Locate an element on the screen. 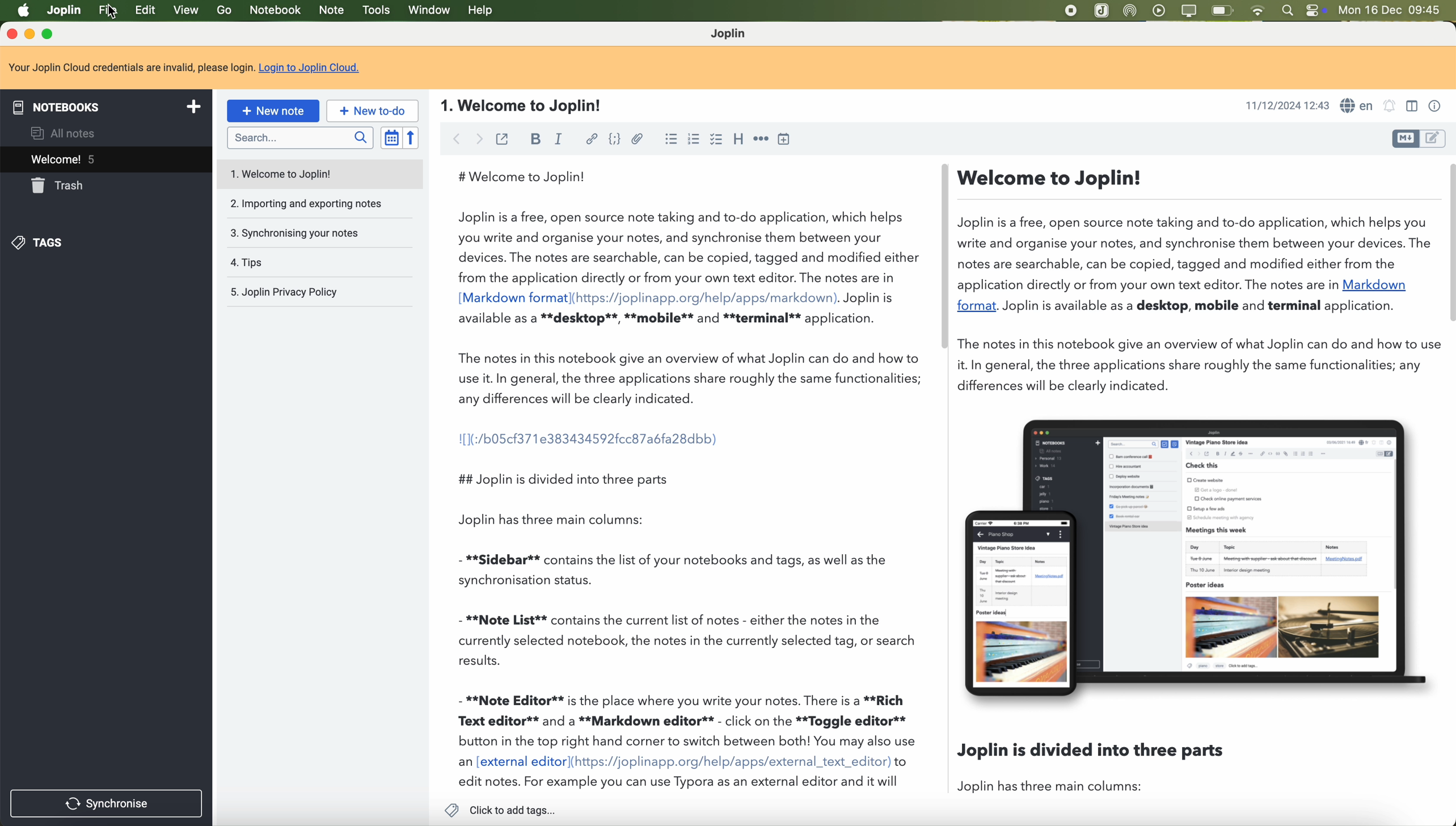  Joplin is a free, open source note taking and to-do application, which helps
you write and organise your notes, and synchronise them between your
devices. The notes are searchable, can be copied, tagged and modified either
from the application directly or from your own text editor. The notes are in is located at coordinates (689, 247).